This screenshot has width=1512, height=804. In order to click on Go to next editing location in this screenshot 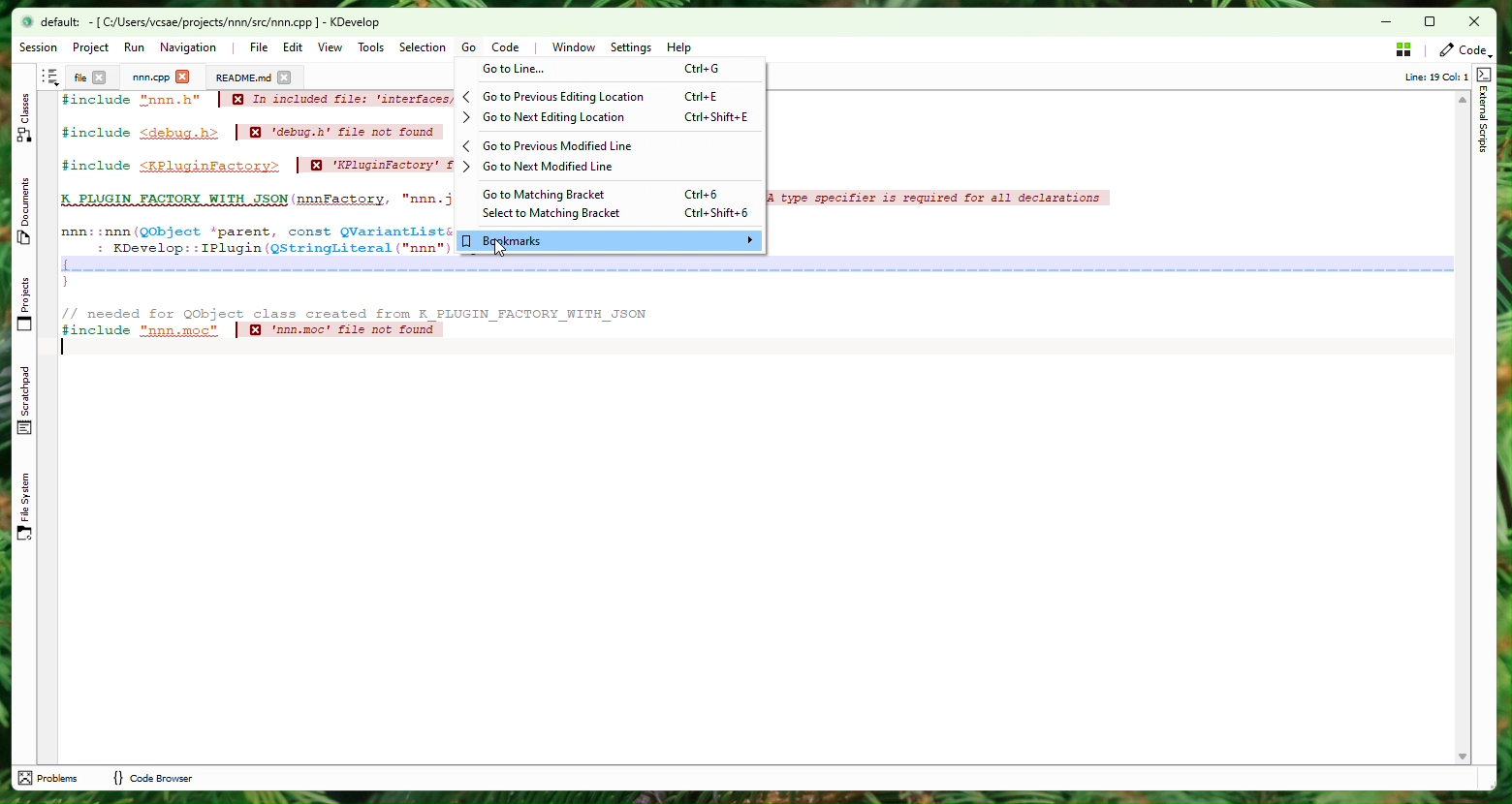, I will do `click(609, 116)`.